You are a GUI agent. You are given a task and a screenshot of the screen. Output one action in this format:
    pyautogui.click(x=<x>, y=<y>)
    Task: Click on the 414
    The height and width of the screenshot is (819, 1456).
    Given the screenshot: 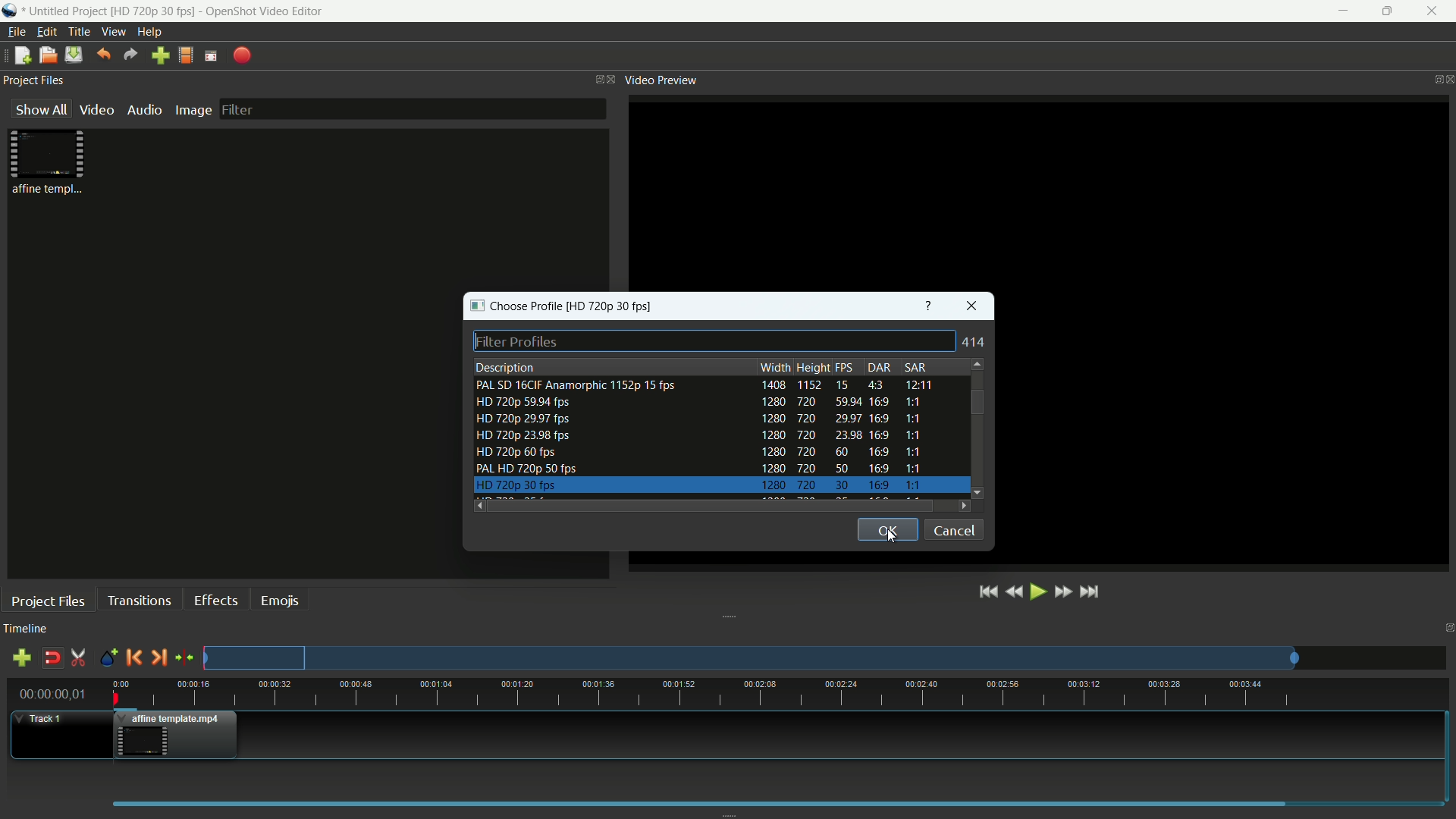 What is the action you would take?
    pyautogui.click(x=974, y=343)
    